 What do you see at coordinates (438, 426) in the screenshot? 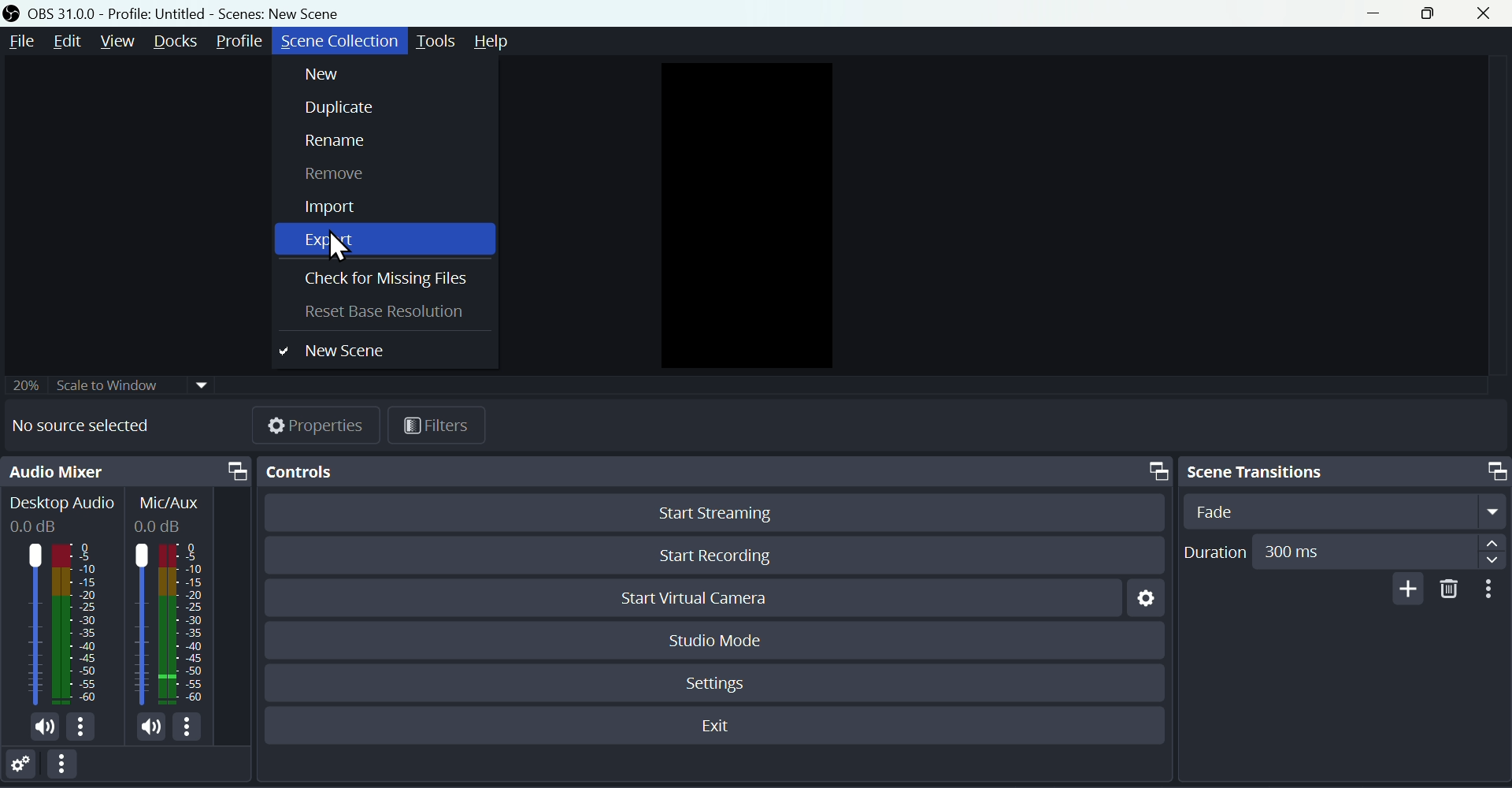
I see `Filter` at bounding box center [438, 426].